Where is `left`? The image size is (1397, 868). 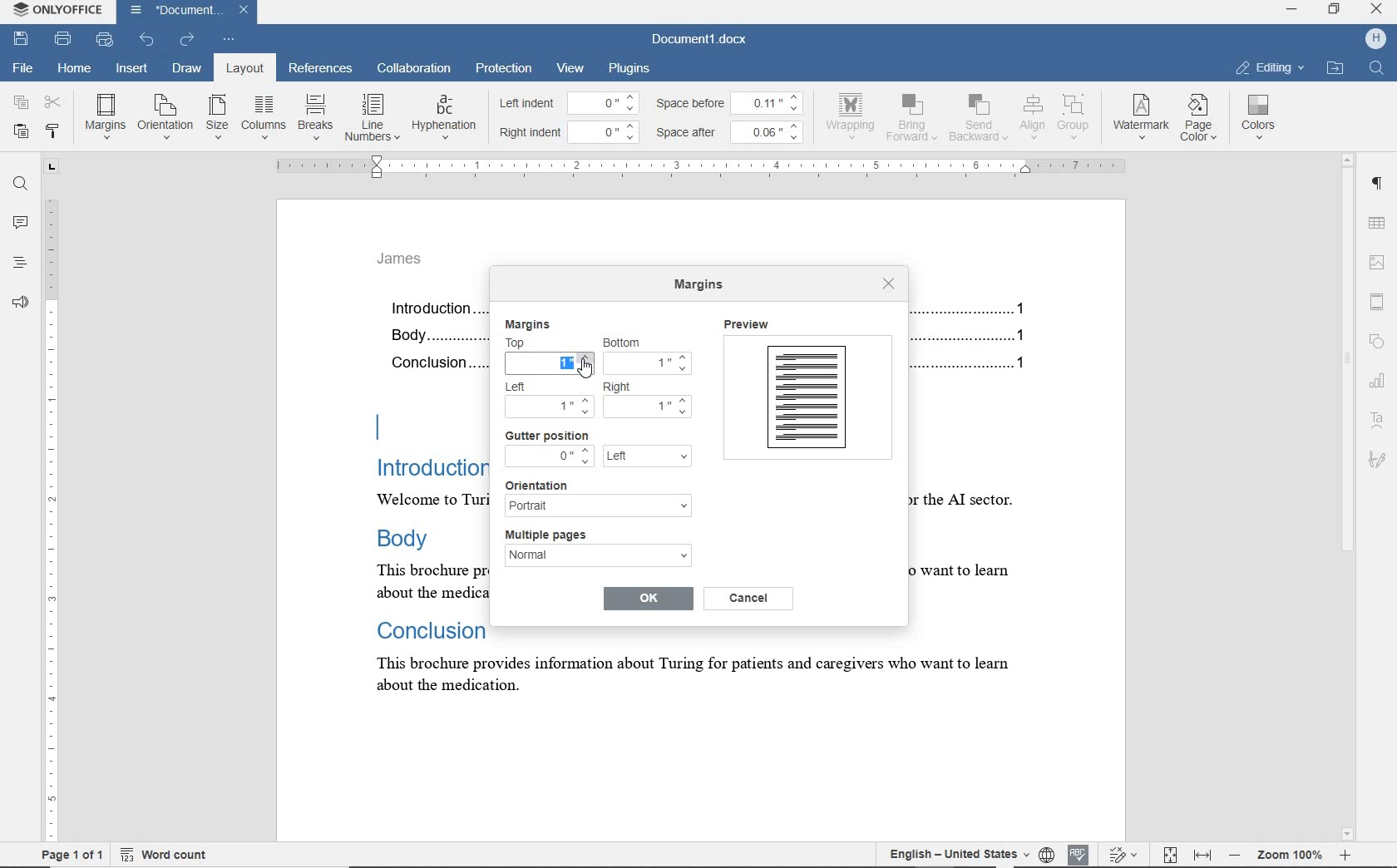
left is located at coordinates (647, 457).